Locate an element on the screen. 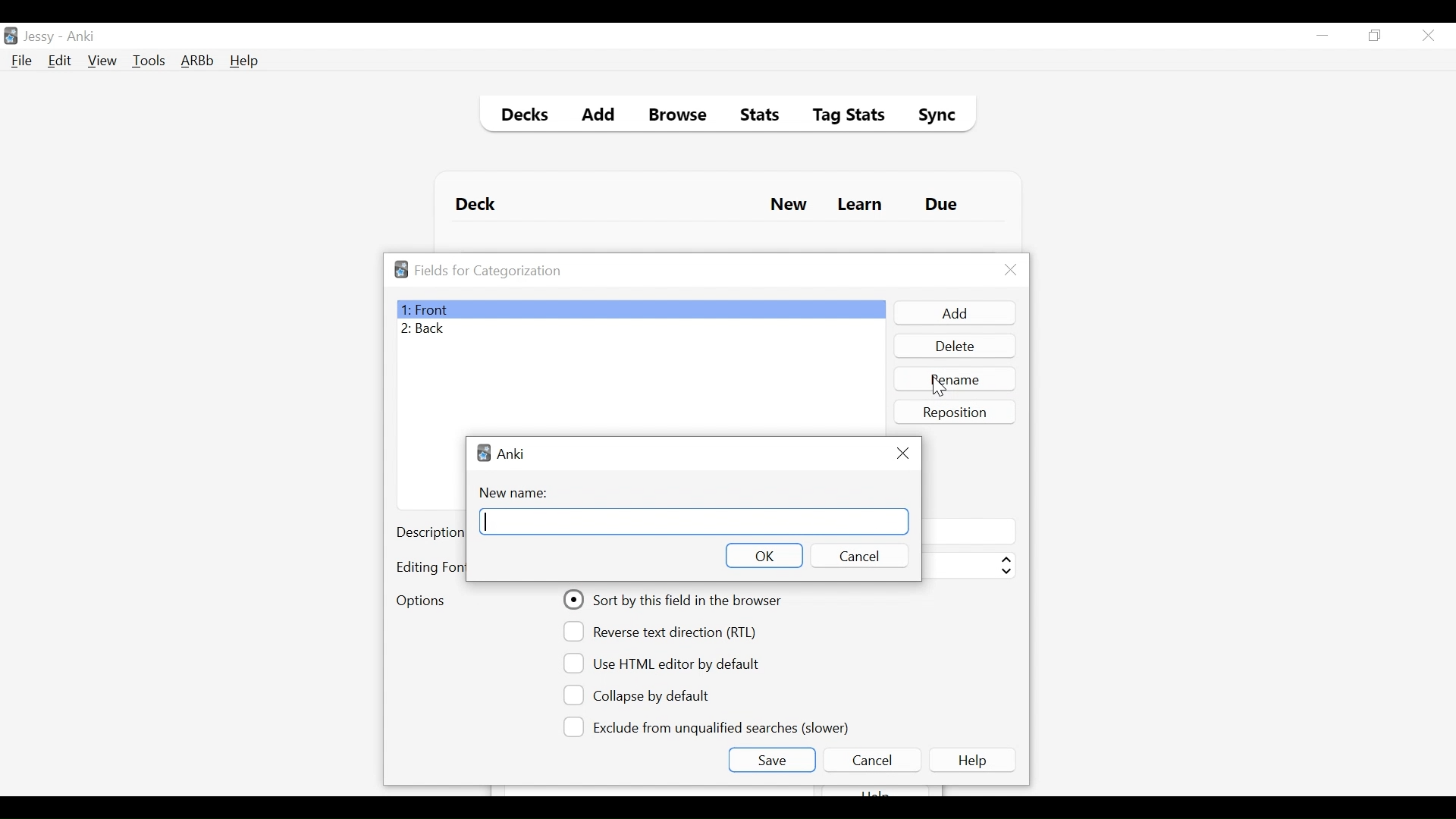 This screenshot has height=819, width=1456. Editing Font is located at coordinates (430, 567).